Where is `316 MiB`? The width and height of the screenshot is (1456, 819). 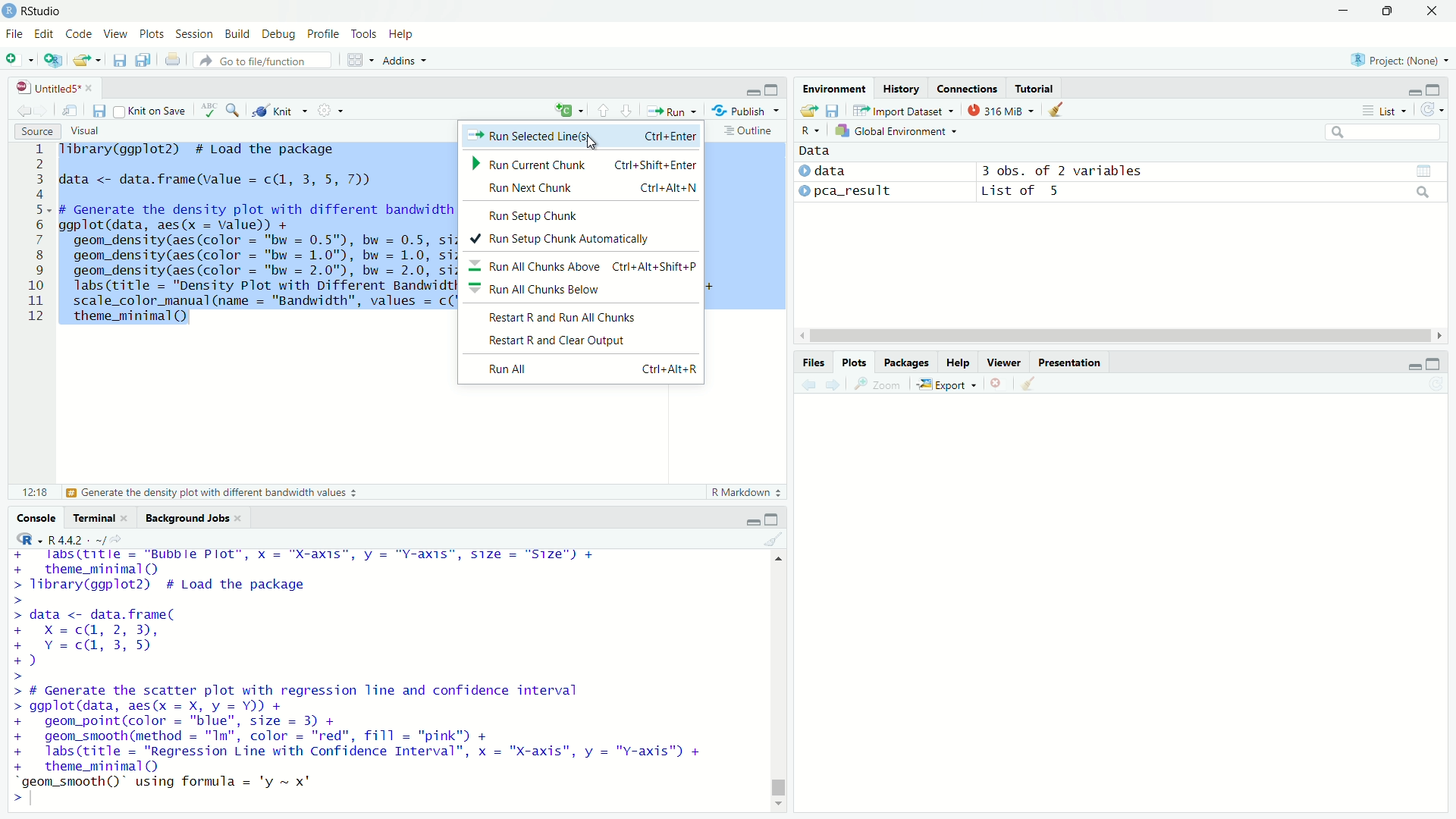
316 MiB is located at coordinates (1000, 110).